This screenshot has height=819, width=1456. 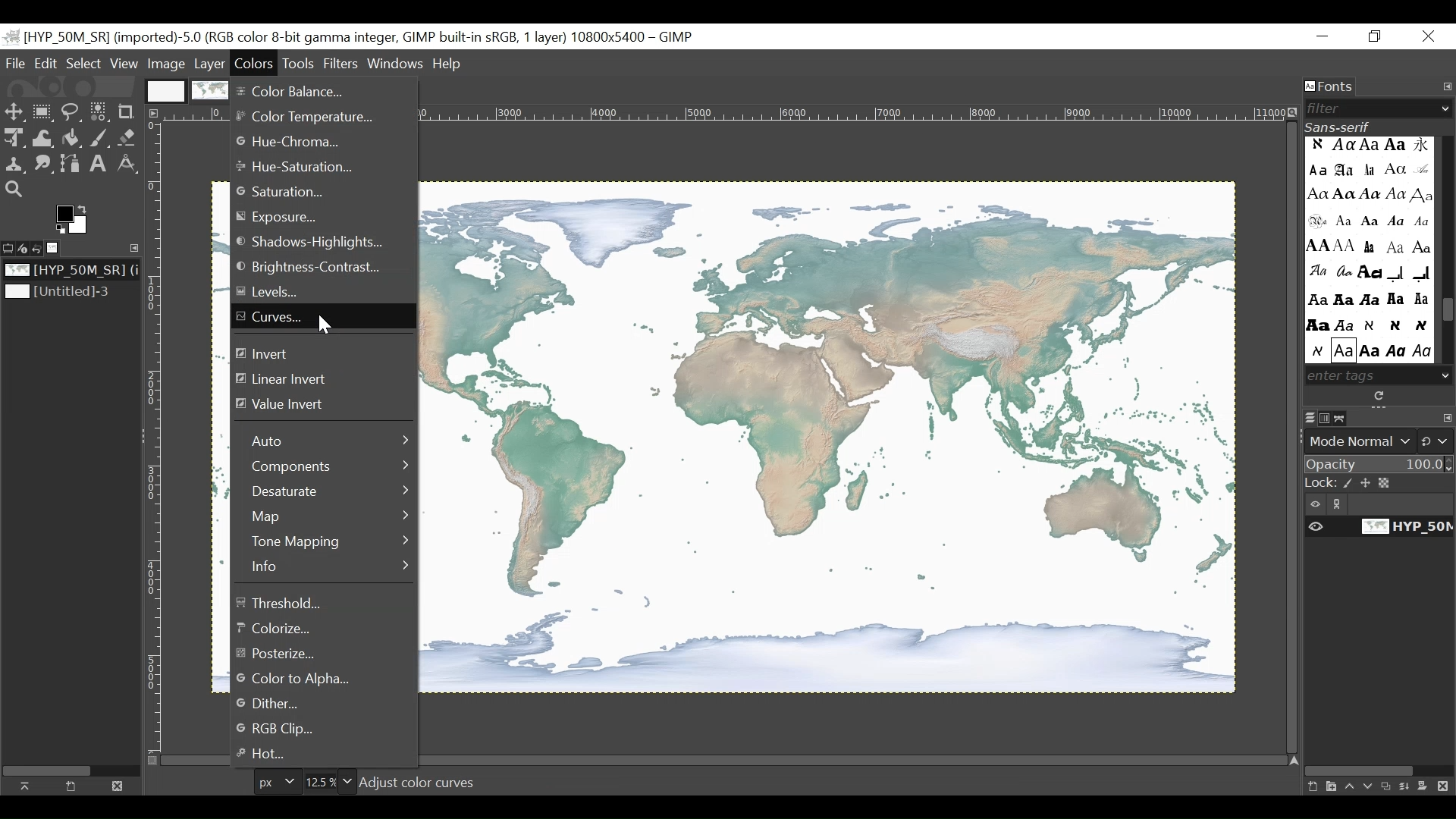 I want to click on Unified Transform tool, so click(x=12, y=137).